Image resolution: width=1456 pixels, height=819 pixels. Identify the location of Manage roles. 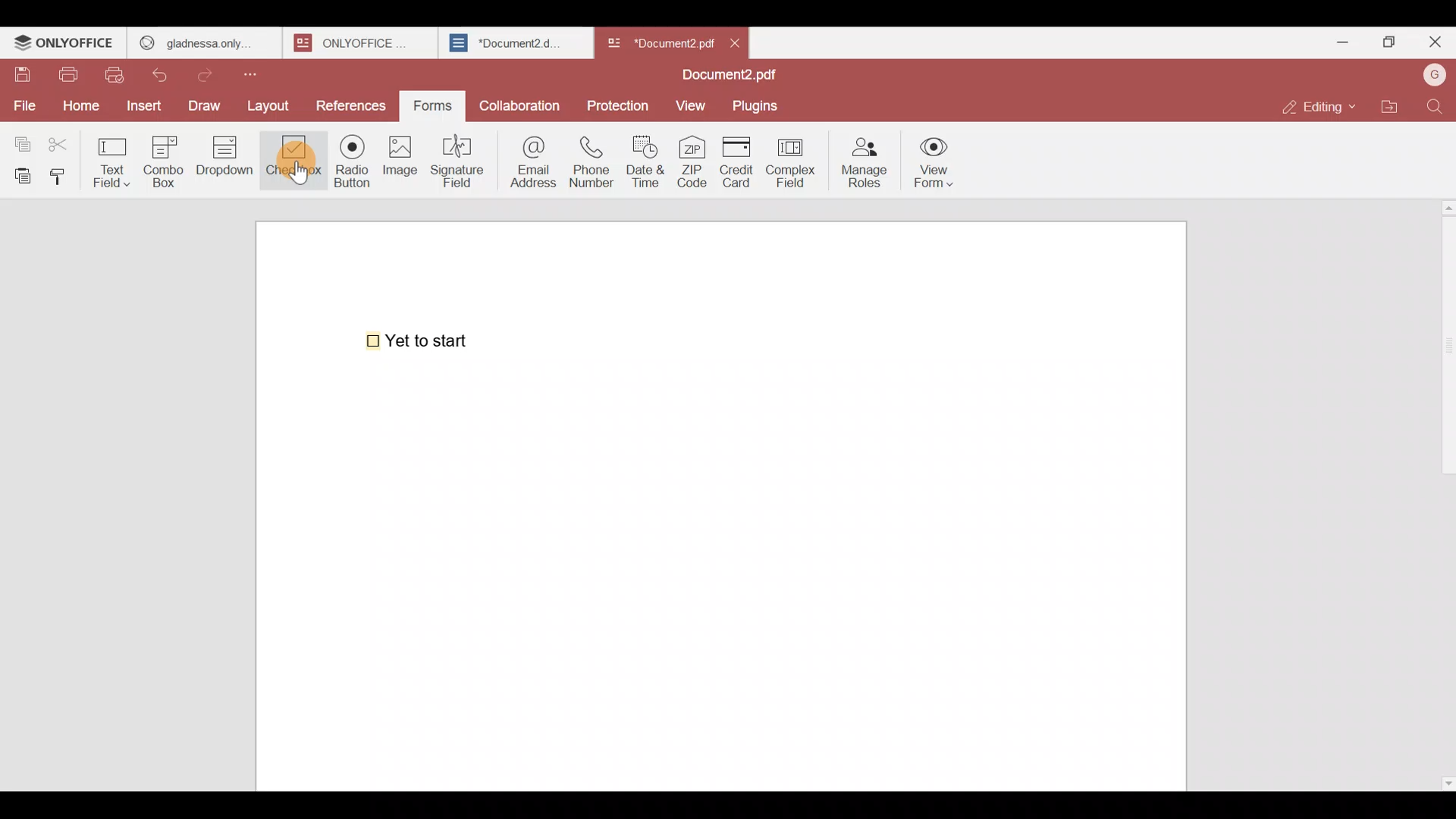
(864, 158).